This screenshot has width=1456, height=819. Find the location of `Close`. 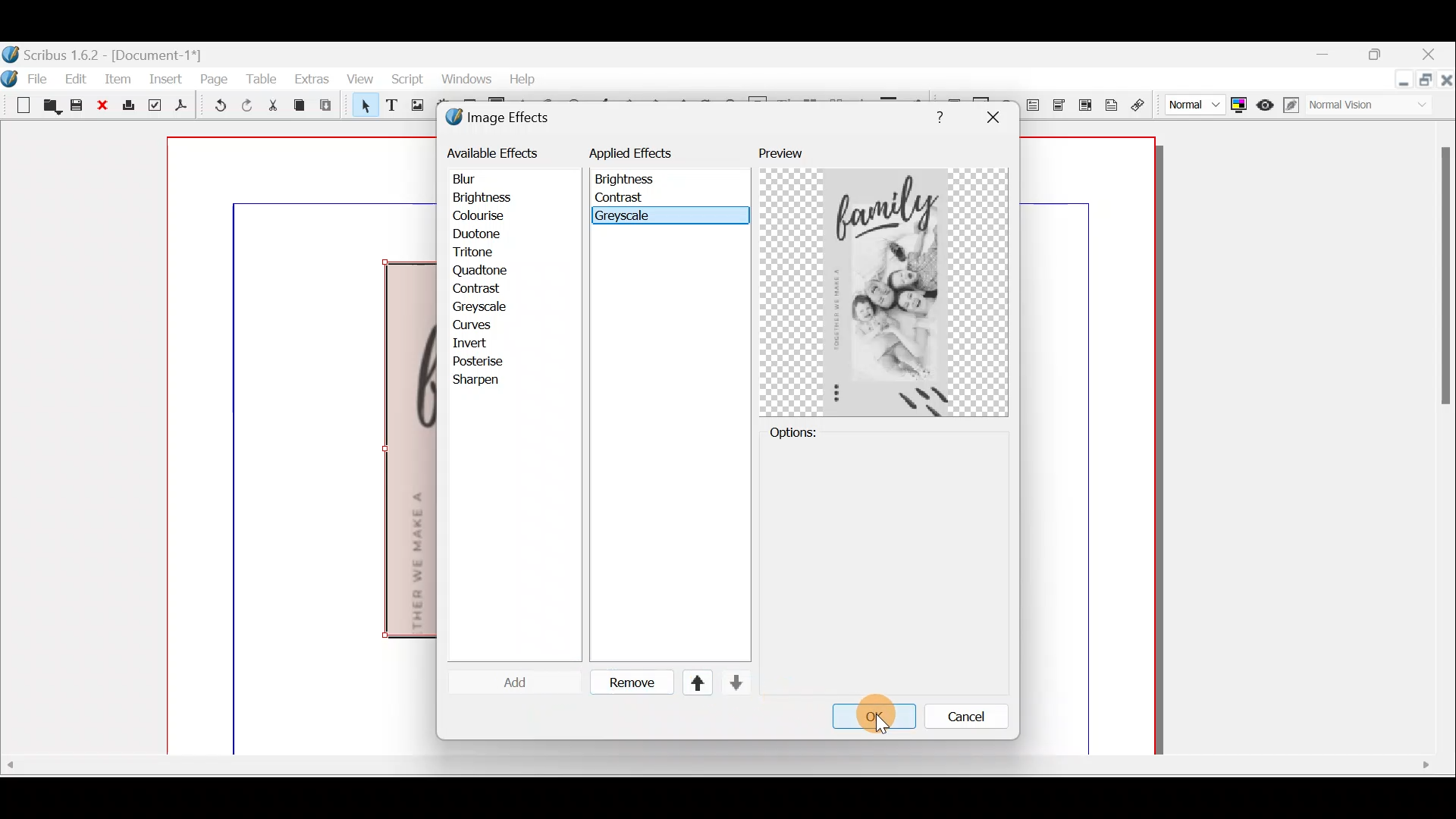

Close is located at coordinates (102, 108).